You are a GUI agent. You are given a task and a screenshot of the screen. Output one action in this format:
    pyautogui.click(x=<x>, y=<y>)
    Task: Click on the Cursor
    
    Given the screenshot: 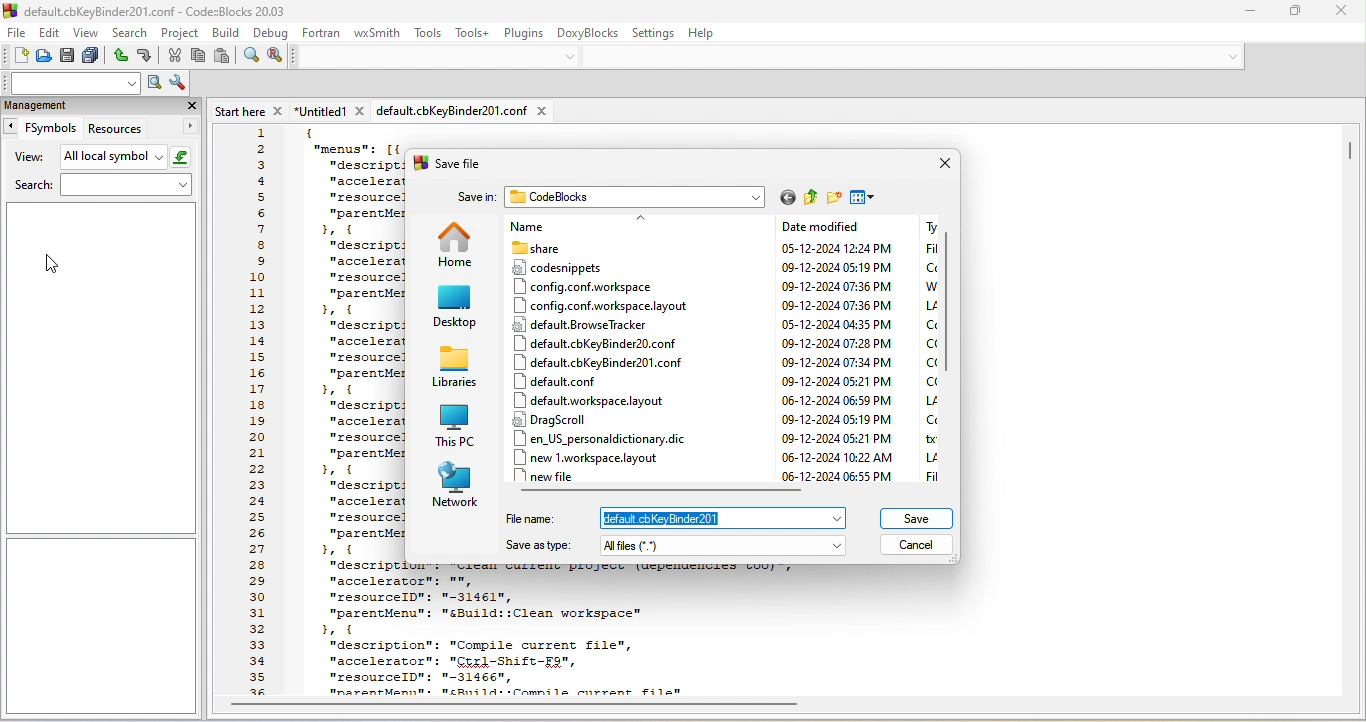 What is the action you would take?
    pyautogui.click(x=55, y=264)
    